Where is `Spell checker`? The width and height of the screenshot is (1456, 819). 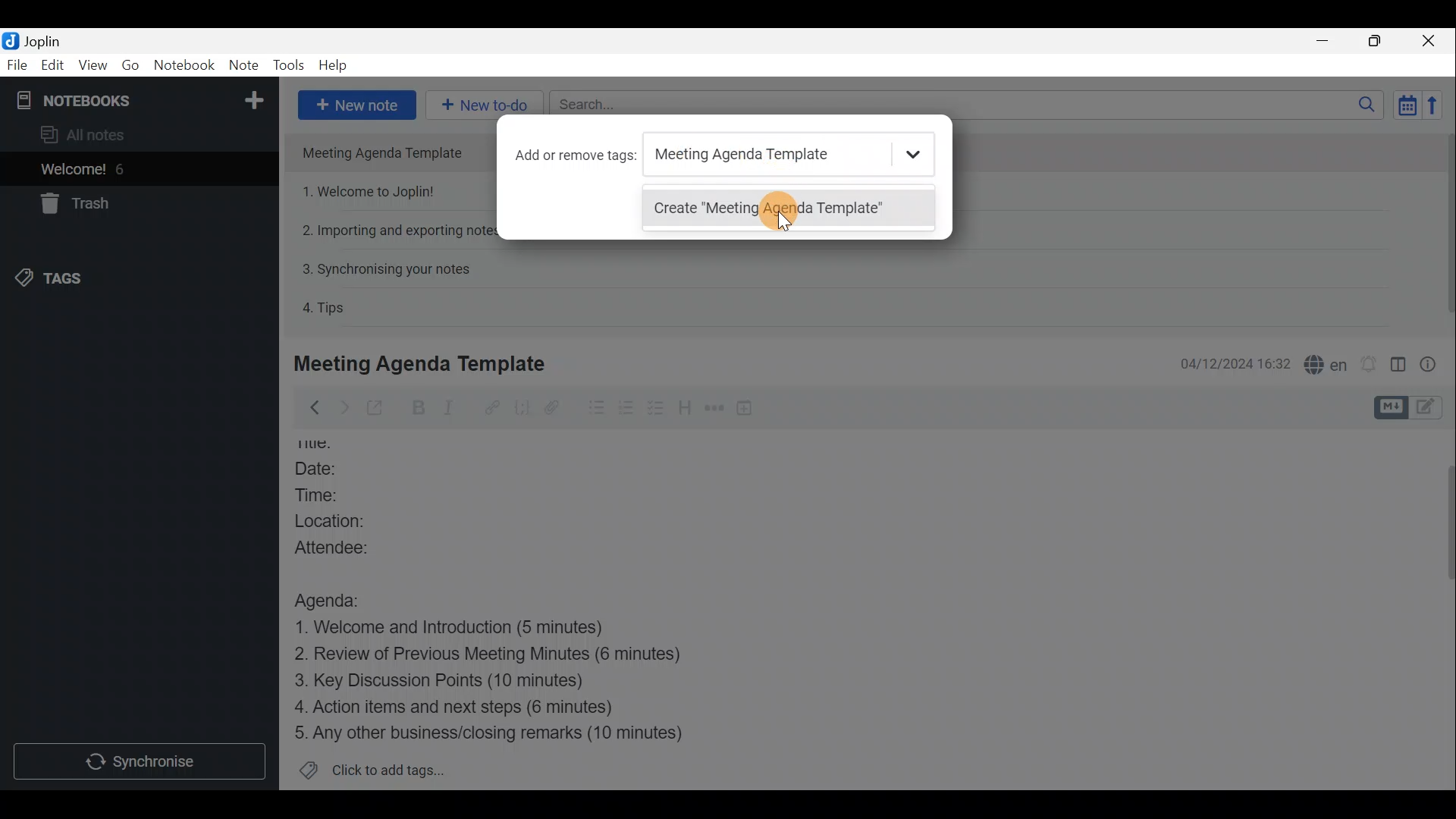
Spell checker is located at coordinates (1327, 362).